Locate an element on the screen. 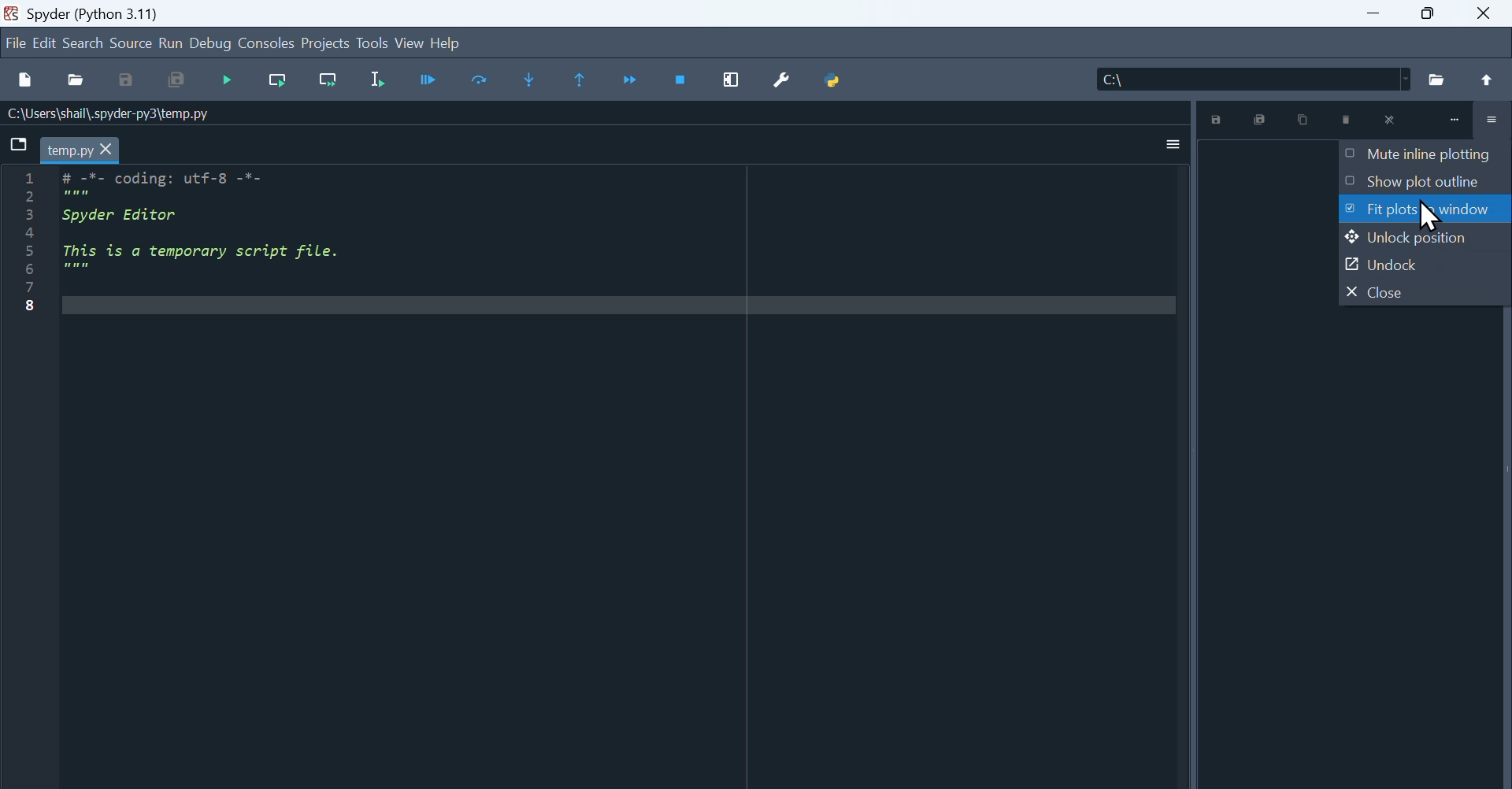 The image size is (1512, 789). Save all plots as is located at coordinates (1260, 120).